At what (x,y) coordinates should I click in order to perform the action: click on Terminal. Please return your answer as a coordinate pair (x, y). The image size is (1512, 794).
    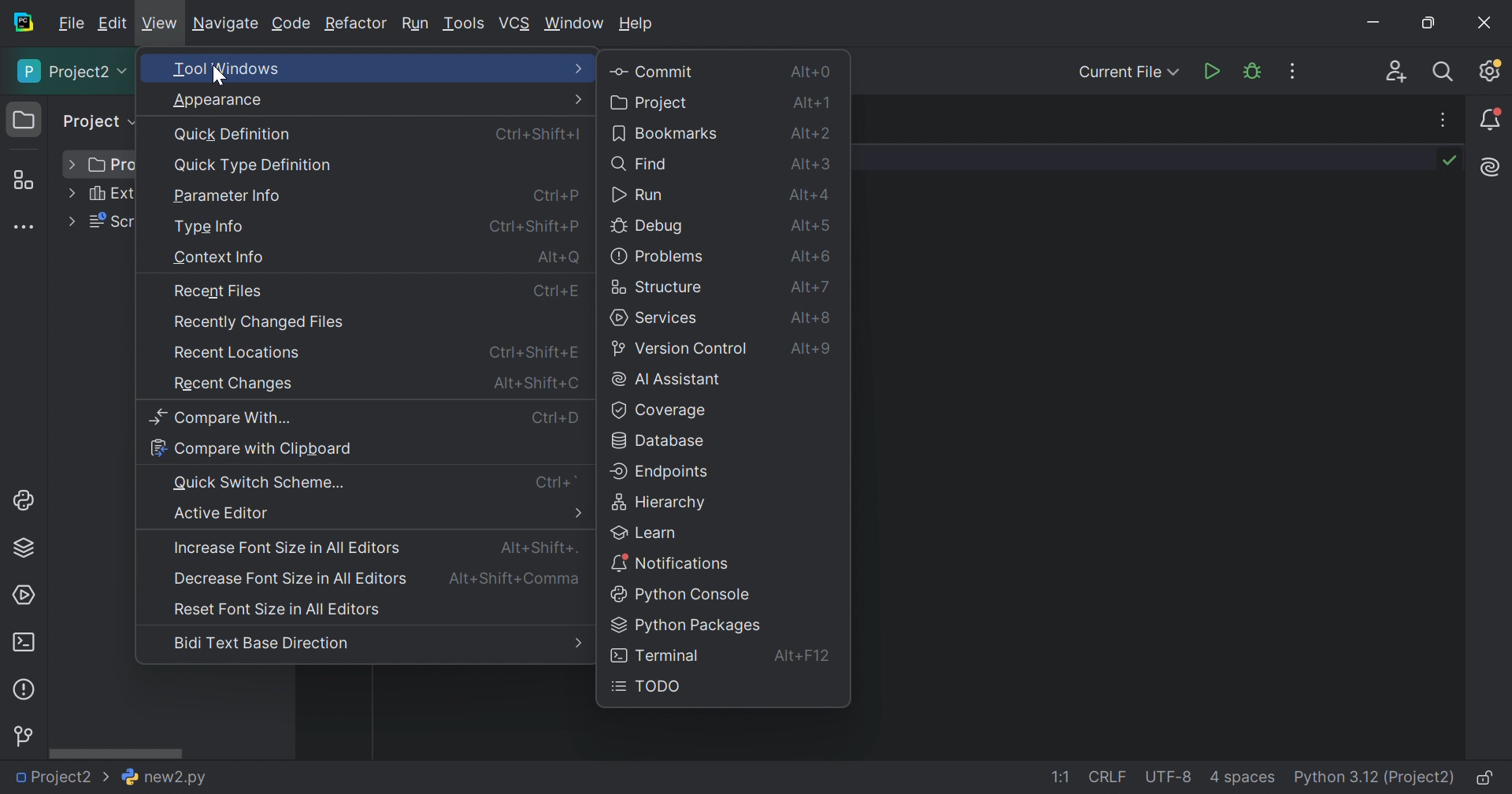
    Looking at the image, I should click on (655, 654).